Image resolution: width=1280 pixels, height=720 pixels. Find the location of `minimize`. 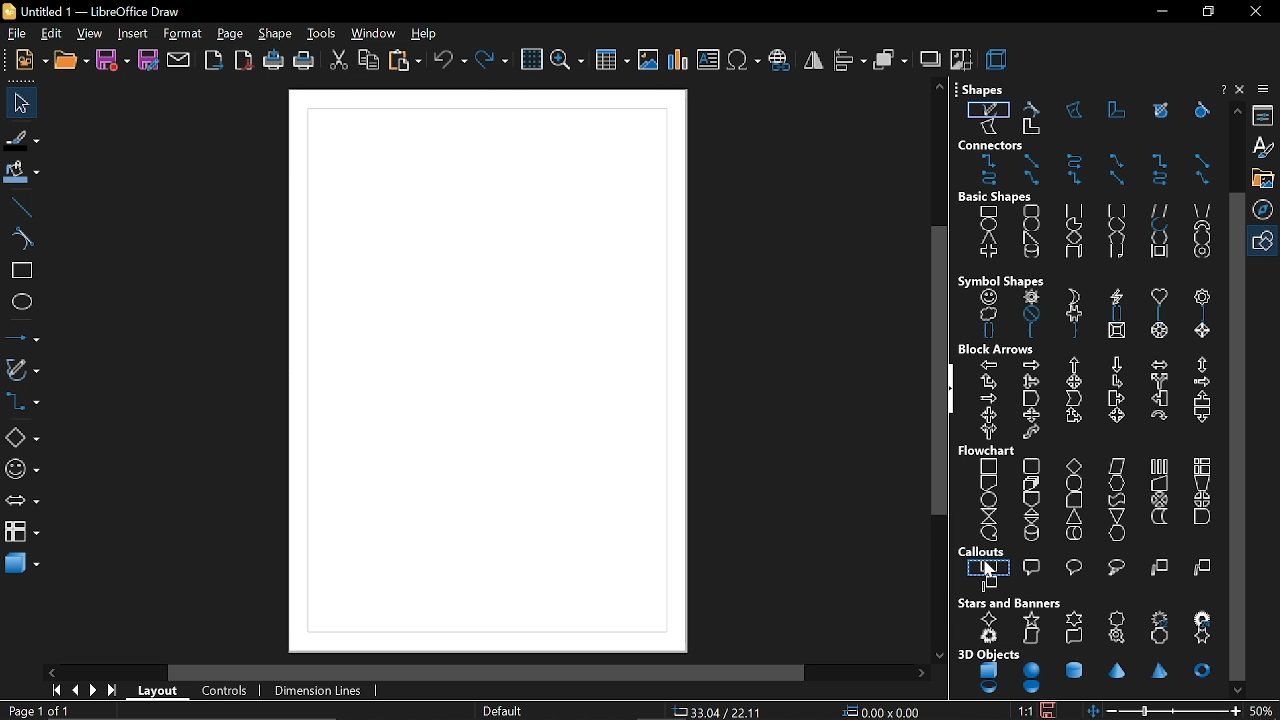

minimize is located at coordinates (1160, 12).